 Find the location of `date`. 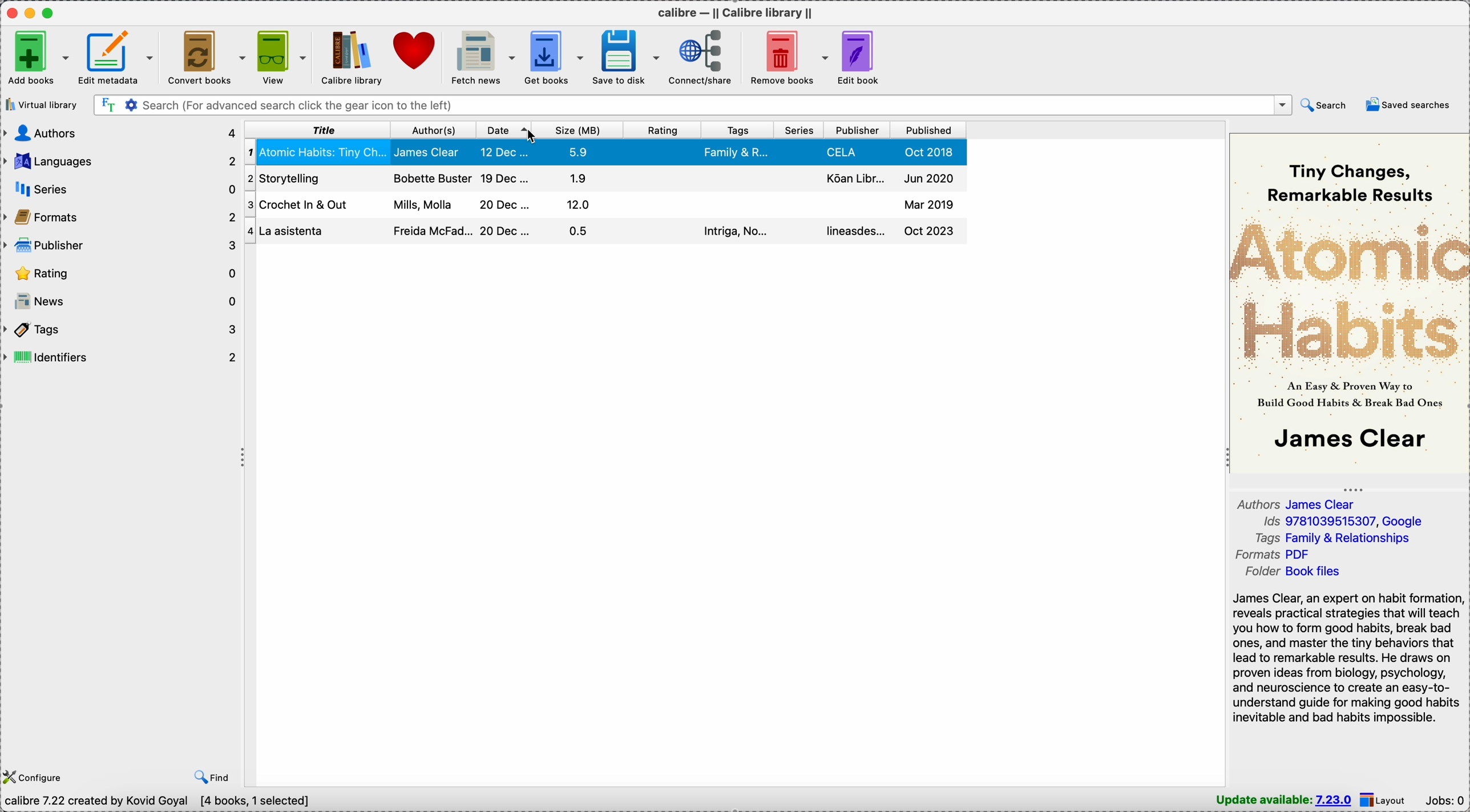

date is located at coordinates (503, 131).